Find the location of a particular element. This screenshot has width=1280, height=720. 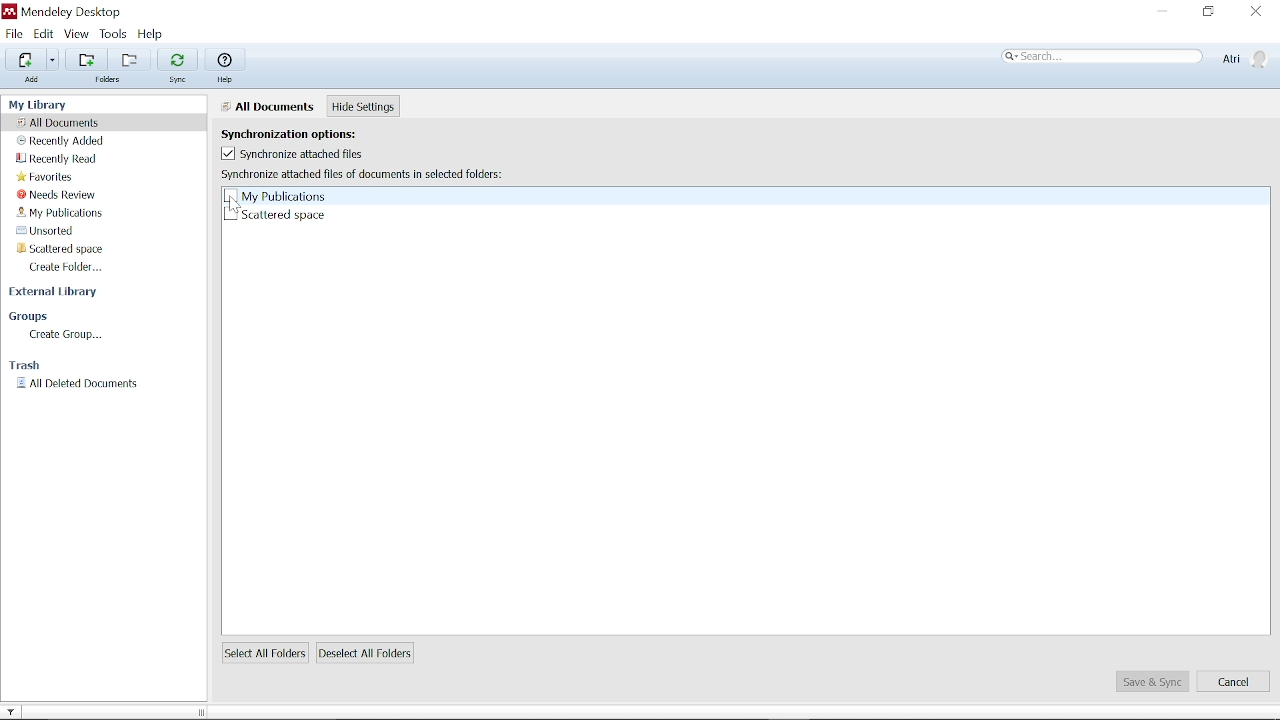

Sync is located at coordinates (177, 58).